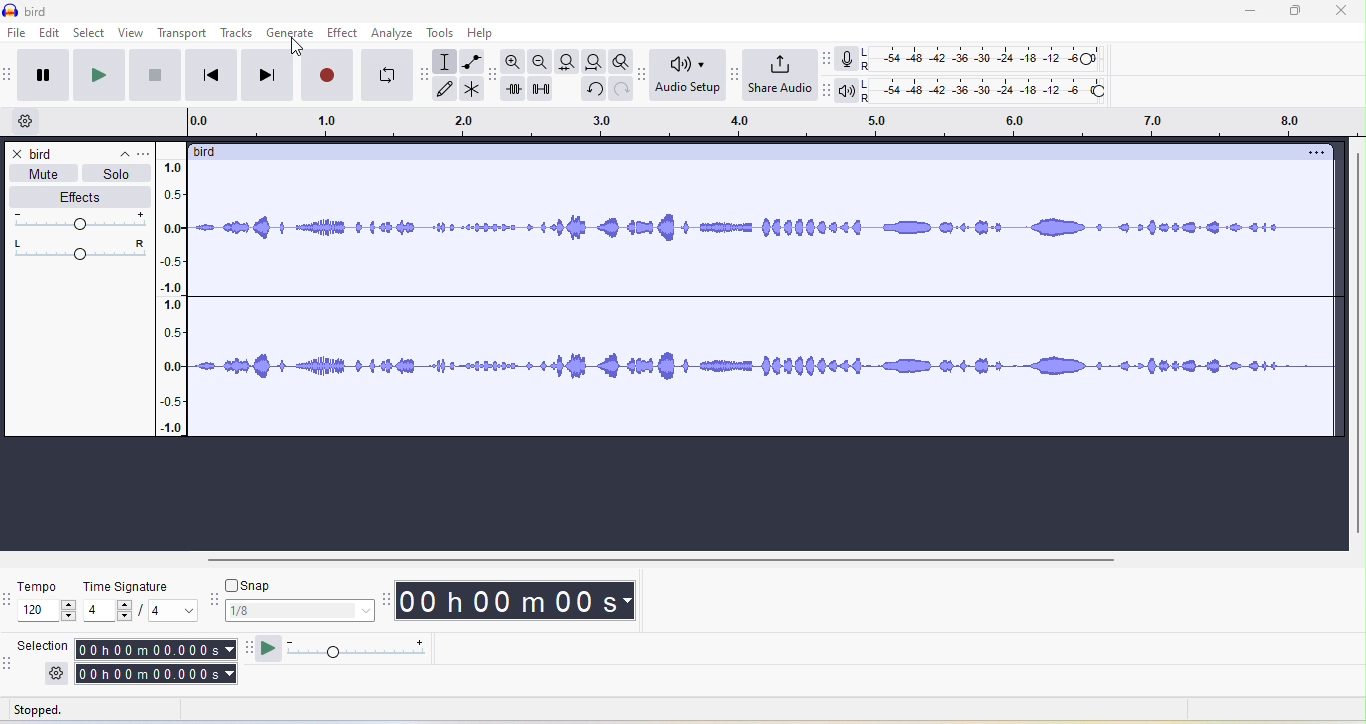 The width and height of the screenshot is (1366, 724). I want to click on record meter, so click(849, 60).